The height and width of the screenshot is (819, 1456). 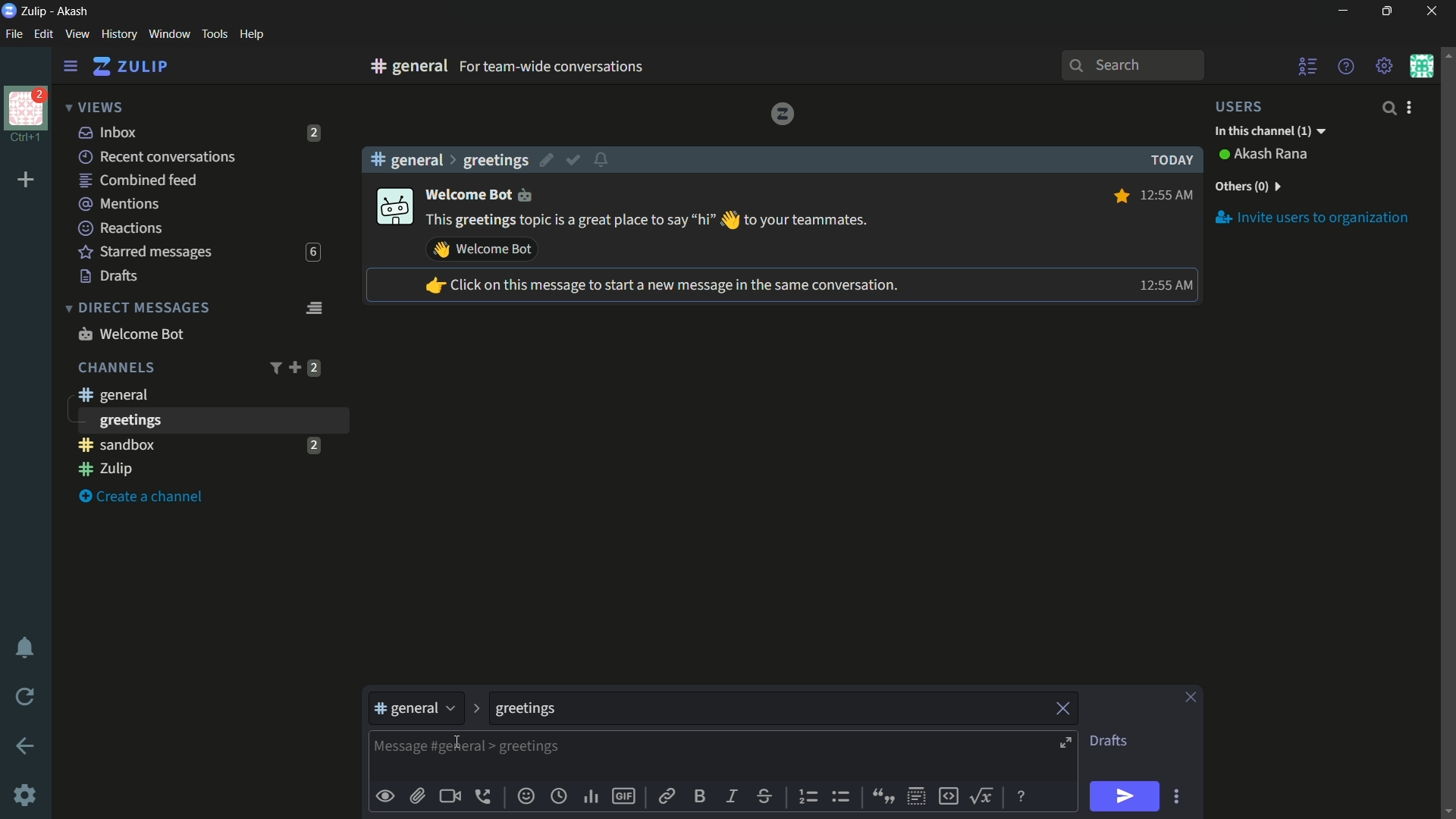 What do you see at coordinates (1345, 66) in the screenshot?
I see `help menu` at bounding box center [1345, 66].